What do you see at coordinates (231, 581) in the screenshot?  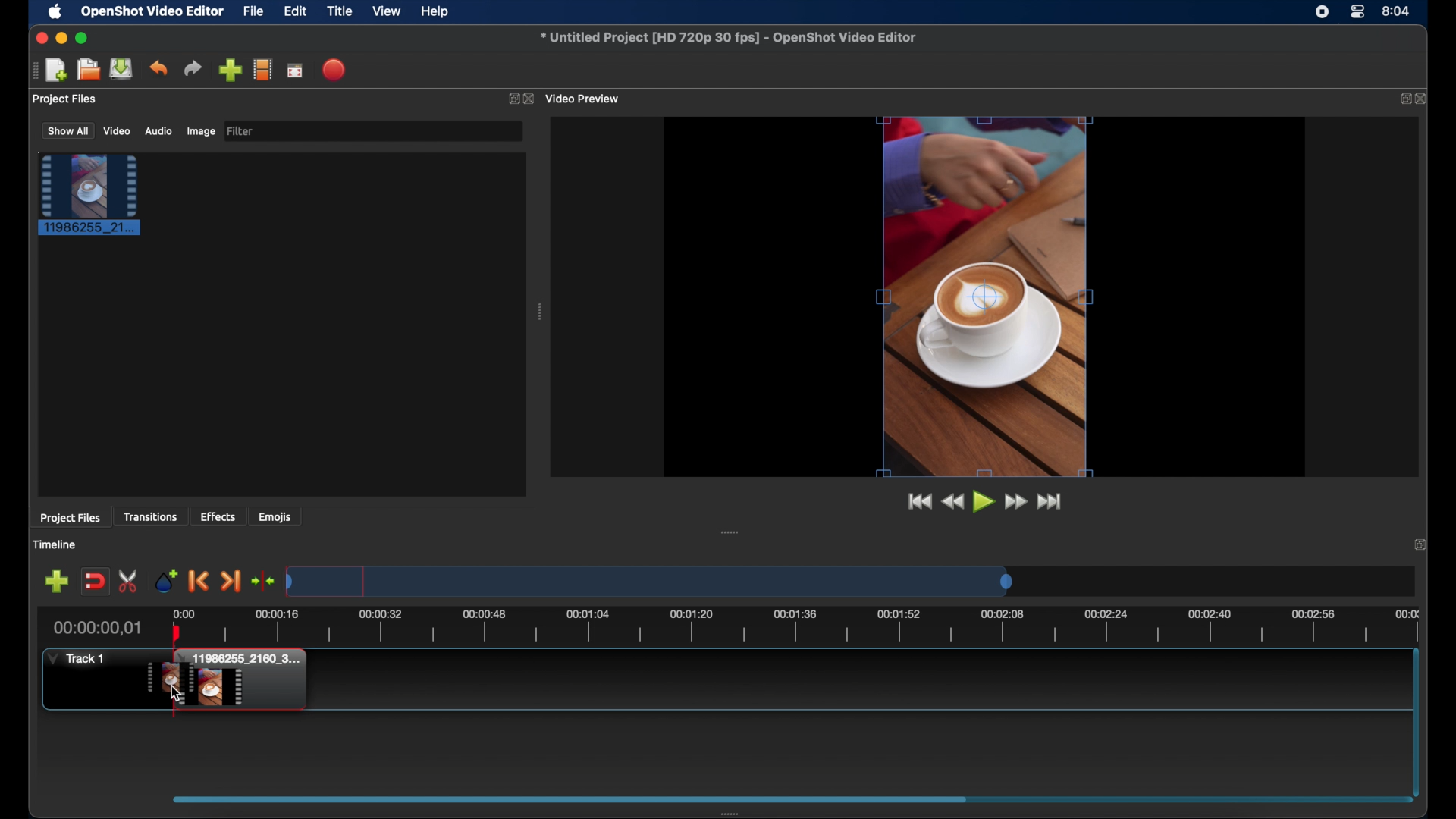 I see `next marker` at bounding box center [231, 581].